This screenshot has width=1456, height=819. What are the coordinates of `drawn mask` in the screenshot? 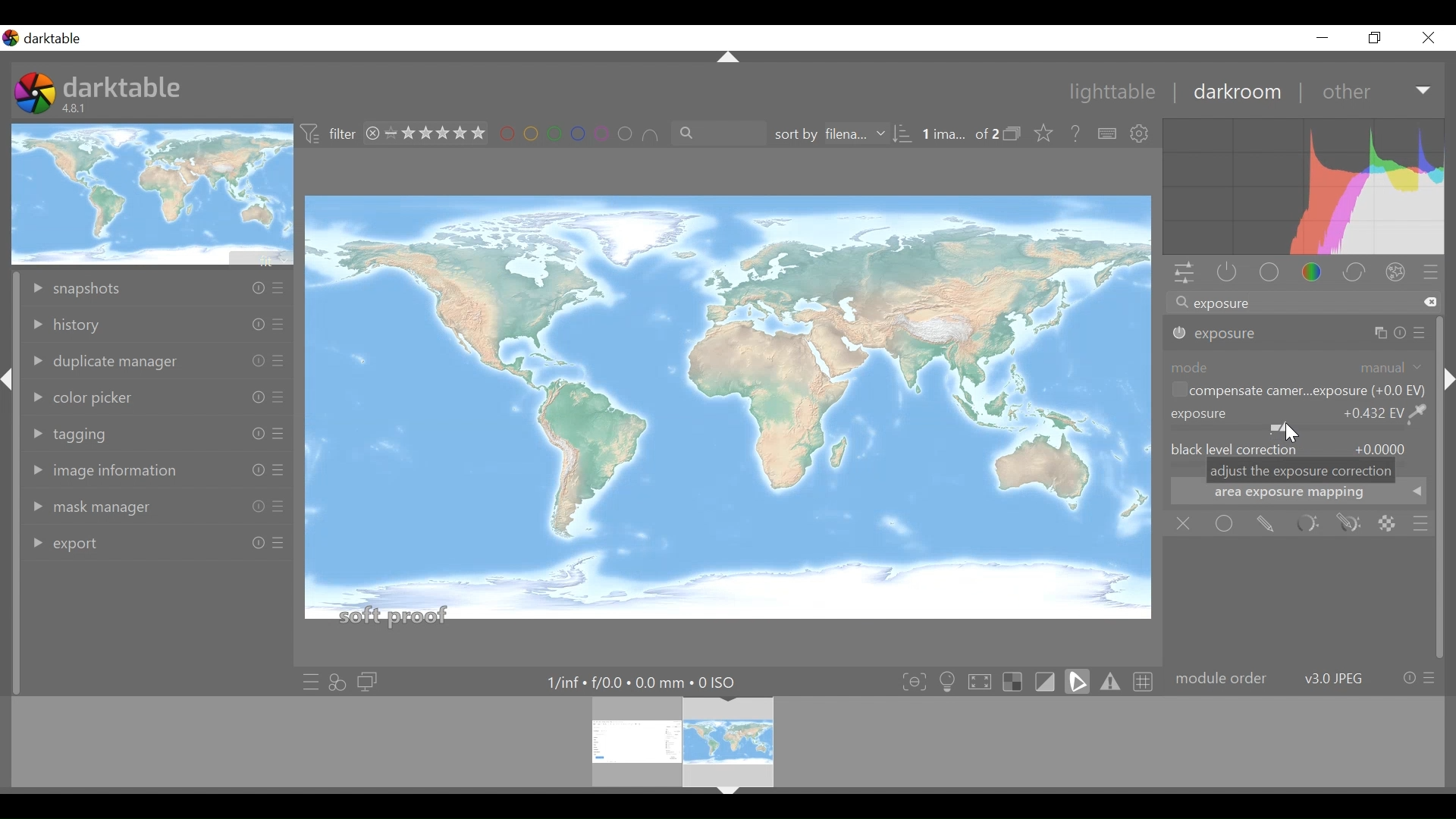 It's located at (1264, 524).